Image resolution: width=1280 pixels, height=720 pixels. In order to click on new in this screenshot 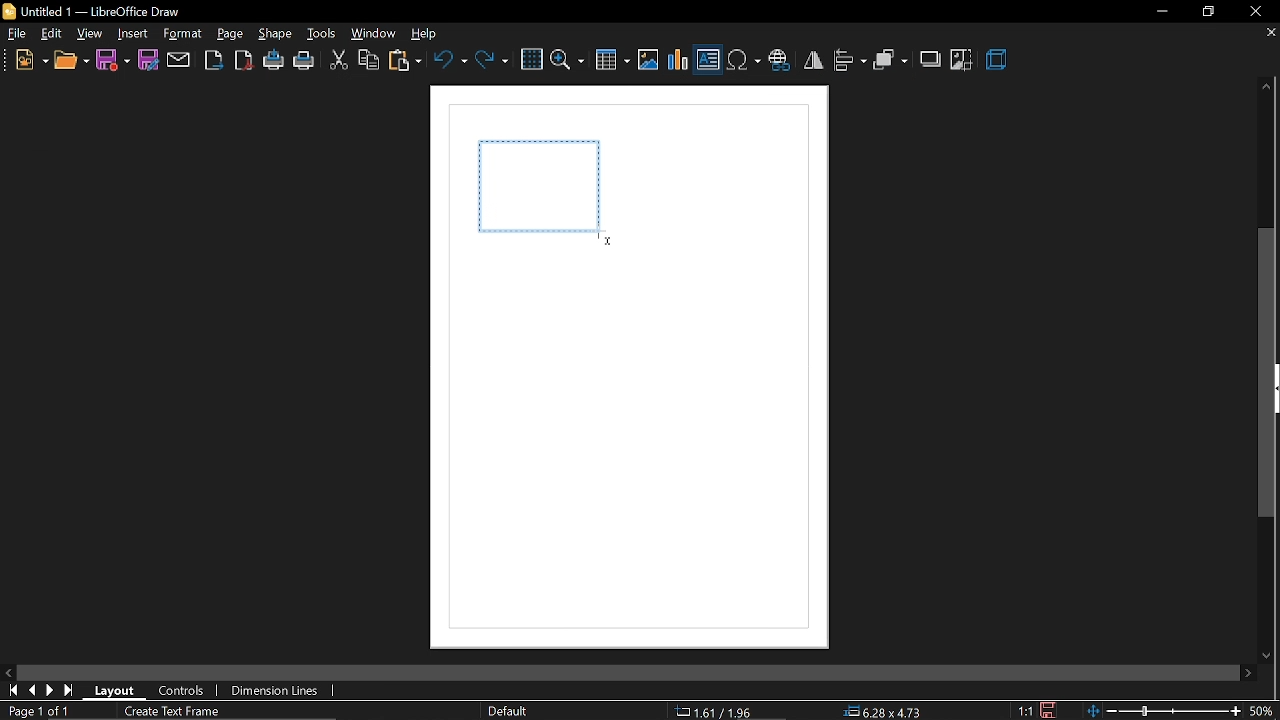, I will do `click(31, 62)`.